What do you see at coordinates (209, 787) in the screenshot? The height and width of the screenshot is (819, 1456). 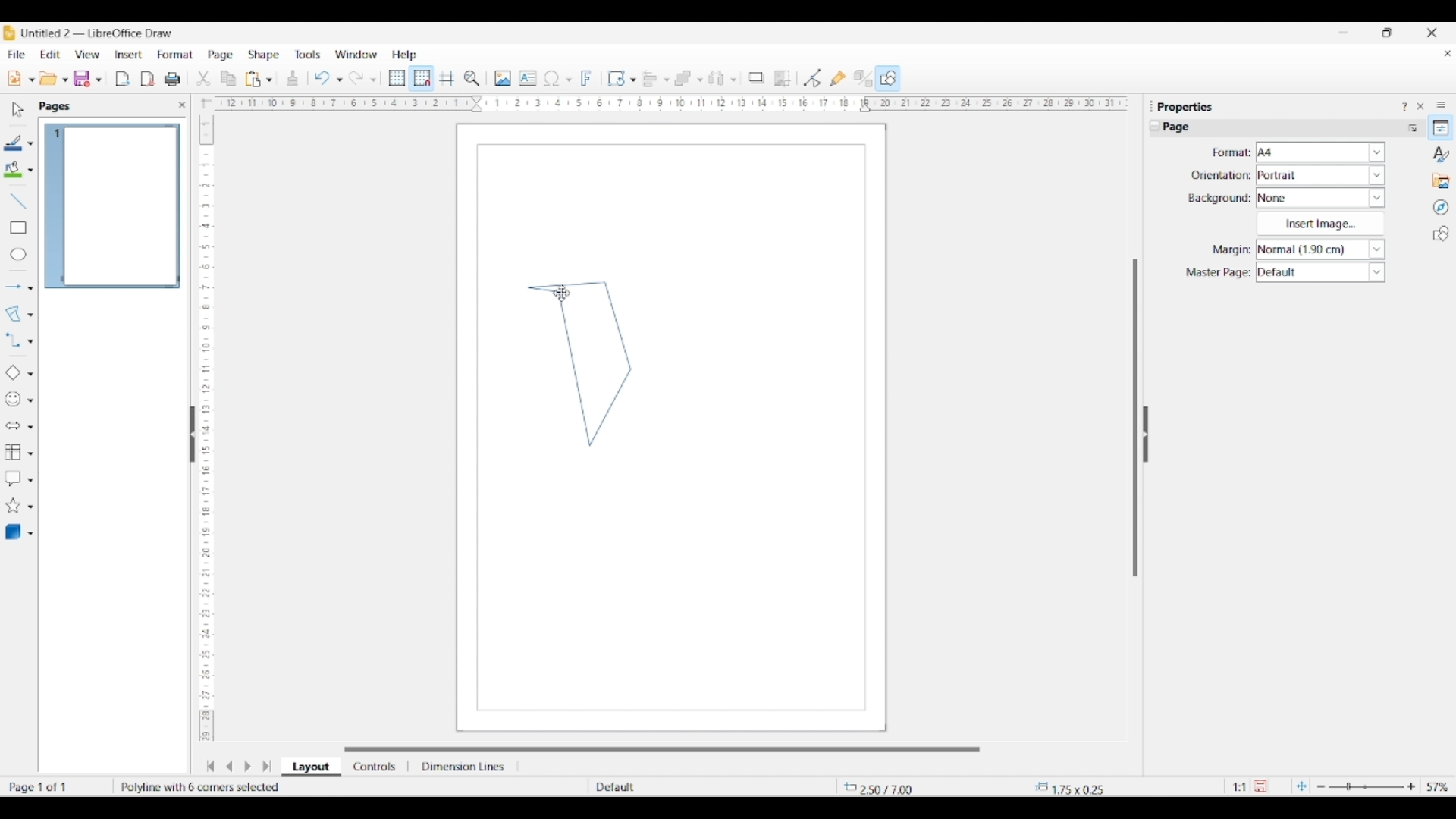 I see `Polygon completed and defined` at bounding box center [209, 787].